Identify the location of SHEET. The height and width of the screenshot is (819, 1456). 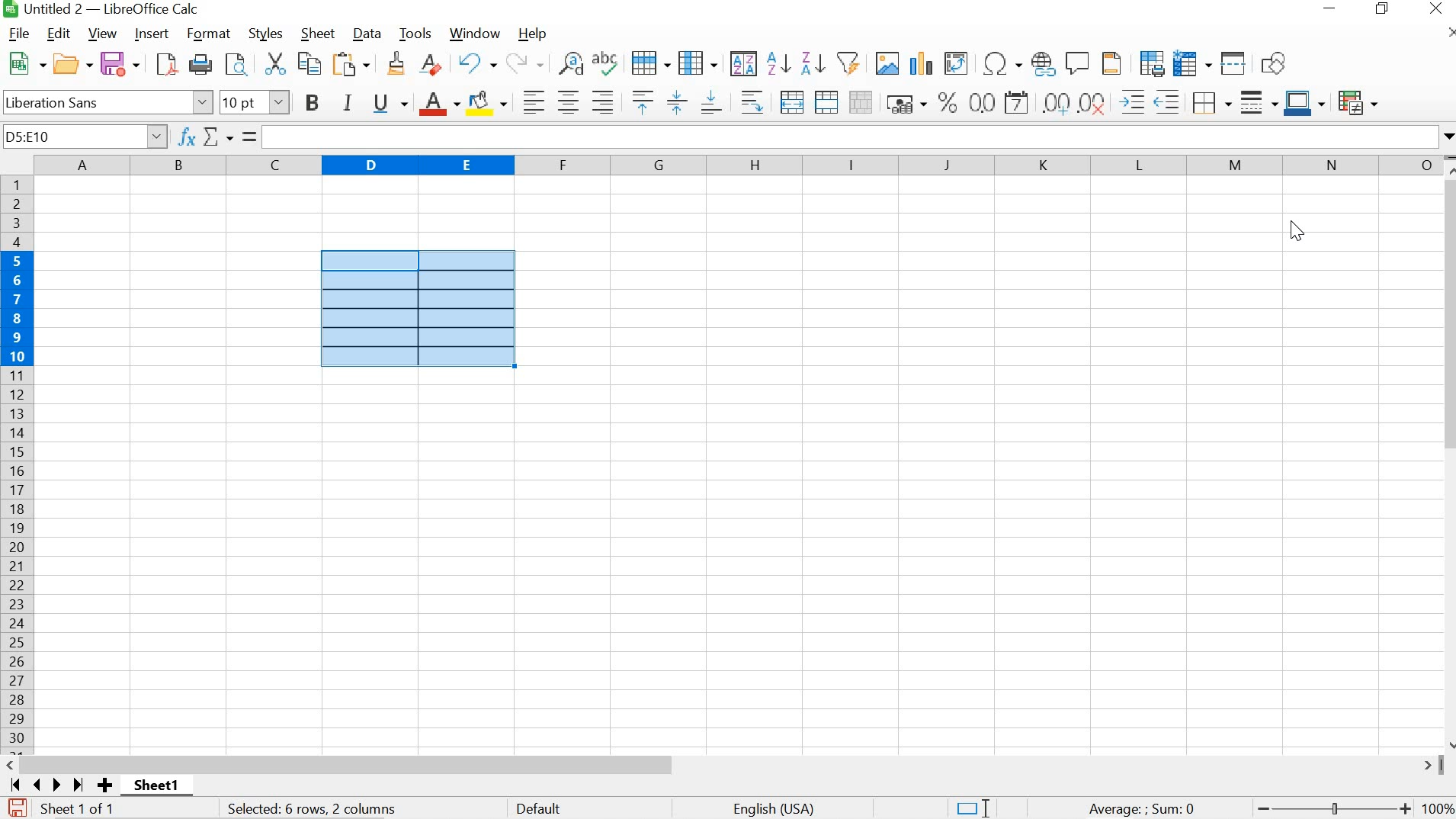
(316, 33).